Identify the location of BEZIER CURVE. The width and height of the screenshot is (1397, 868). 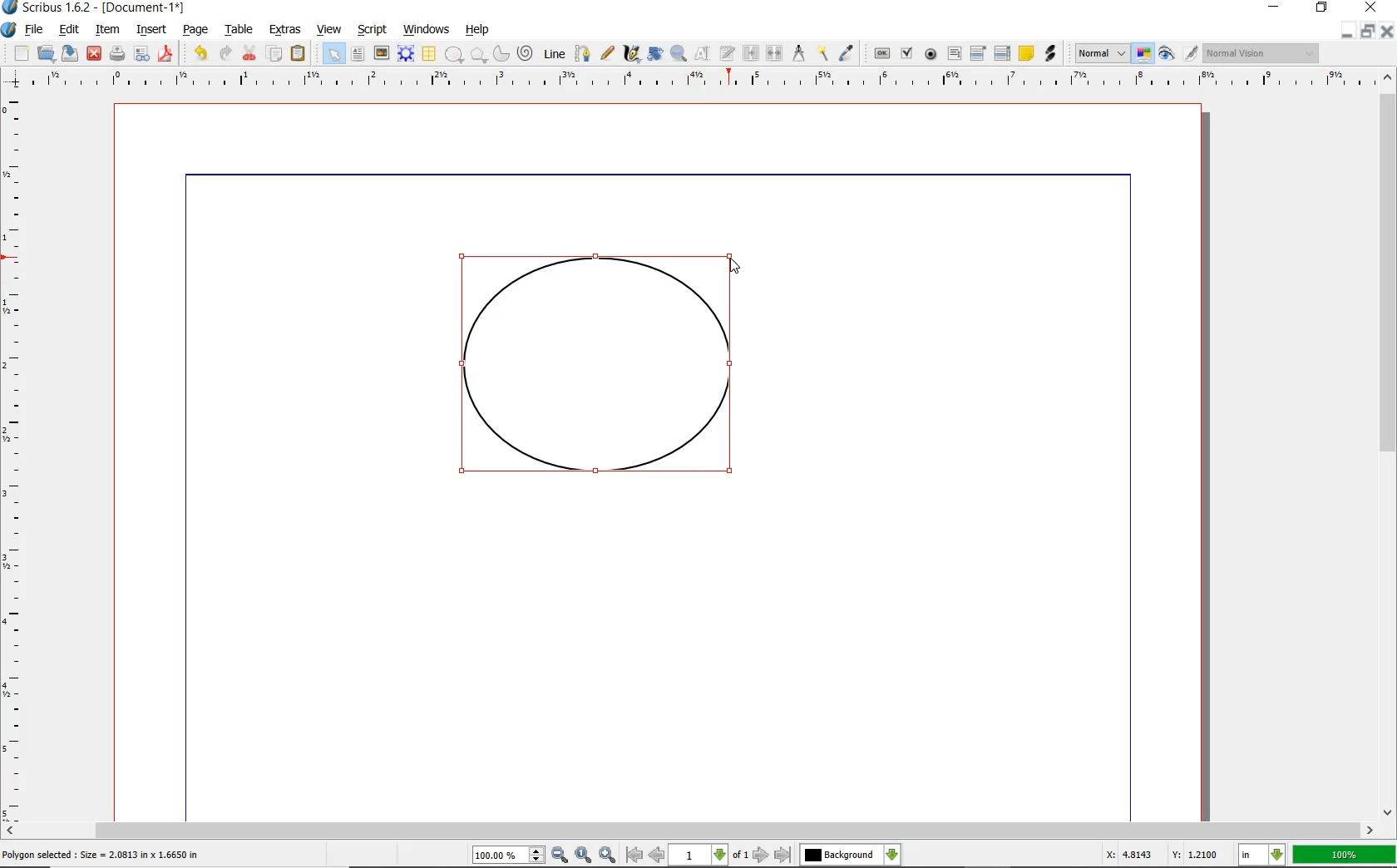
(583, 53).